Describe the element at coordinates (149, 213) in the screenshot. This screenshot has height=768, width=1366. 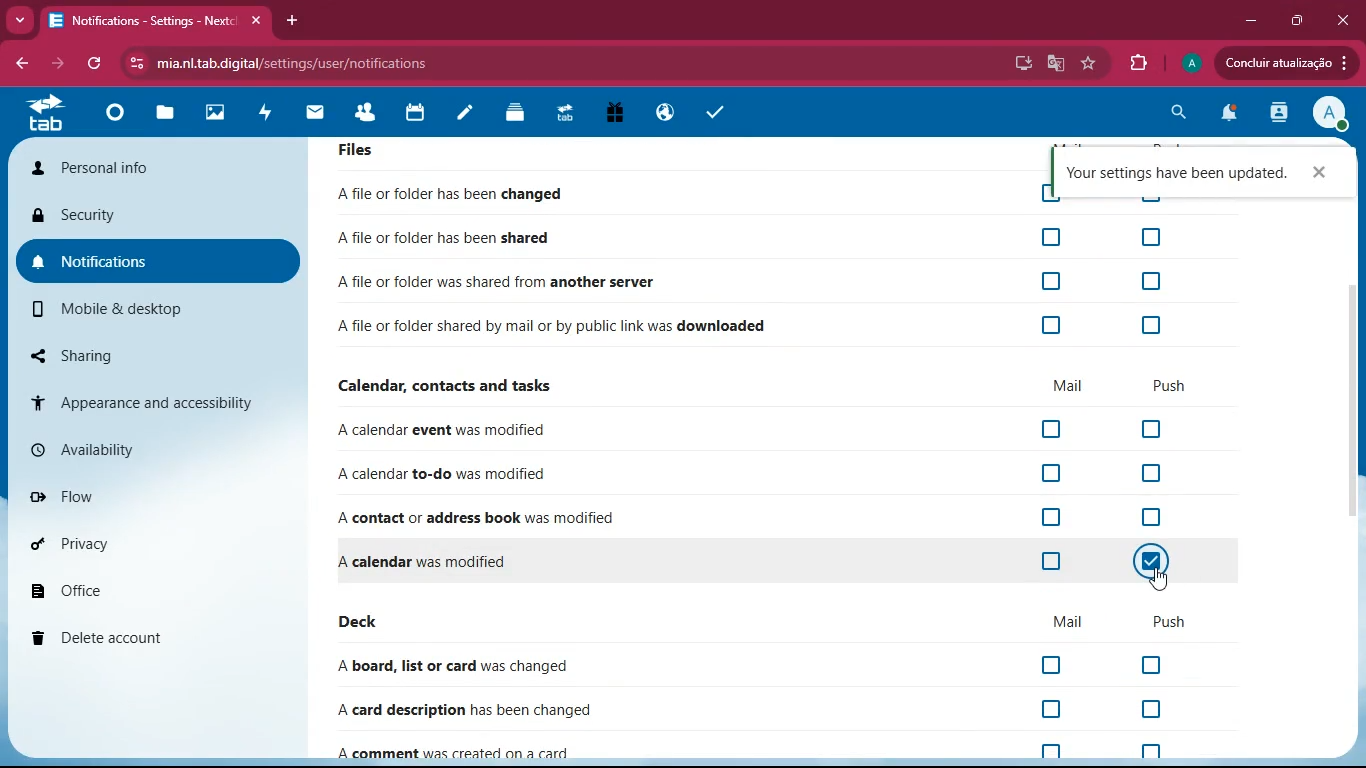
I see `security` at that location.